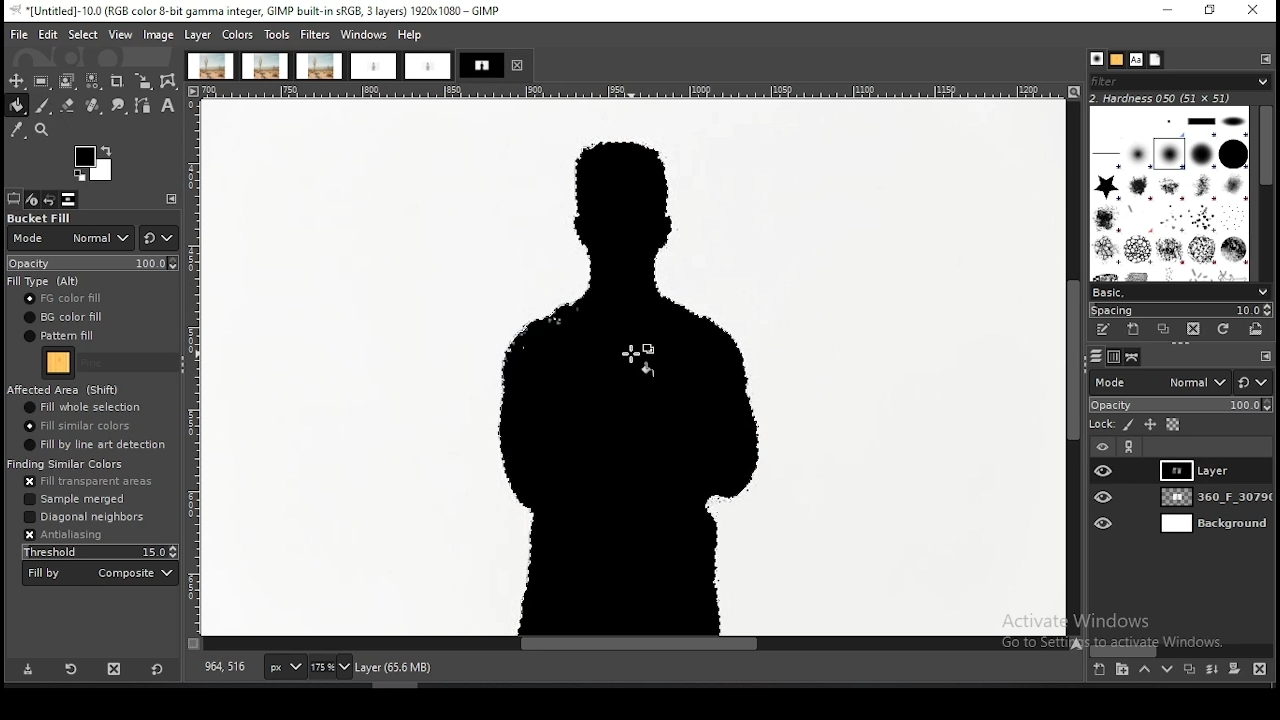 This screenshot has width=1280, height=720. Describe the element at coordinates (495, 65) in the screenshot. I see `project tab` at that location.